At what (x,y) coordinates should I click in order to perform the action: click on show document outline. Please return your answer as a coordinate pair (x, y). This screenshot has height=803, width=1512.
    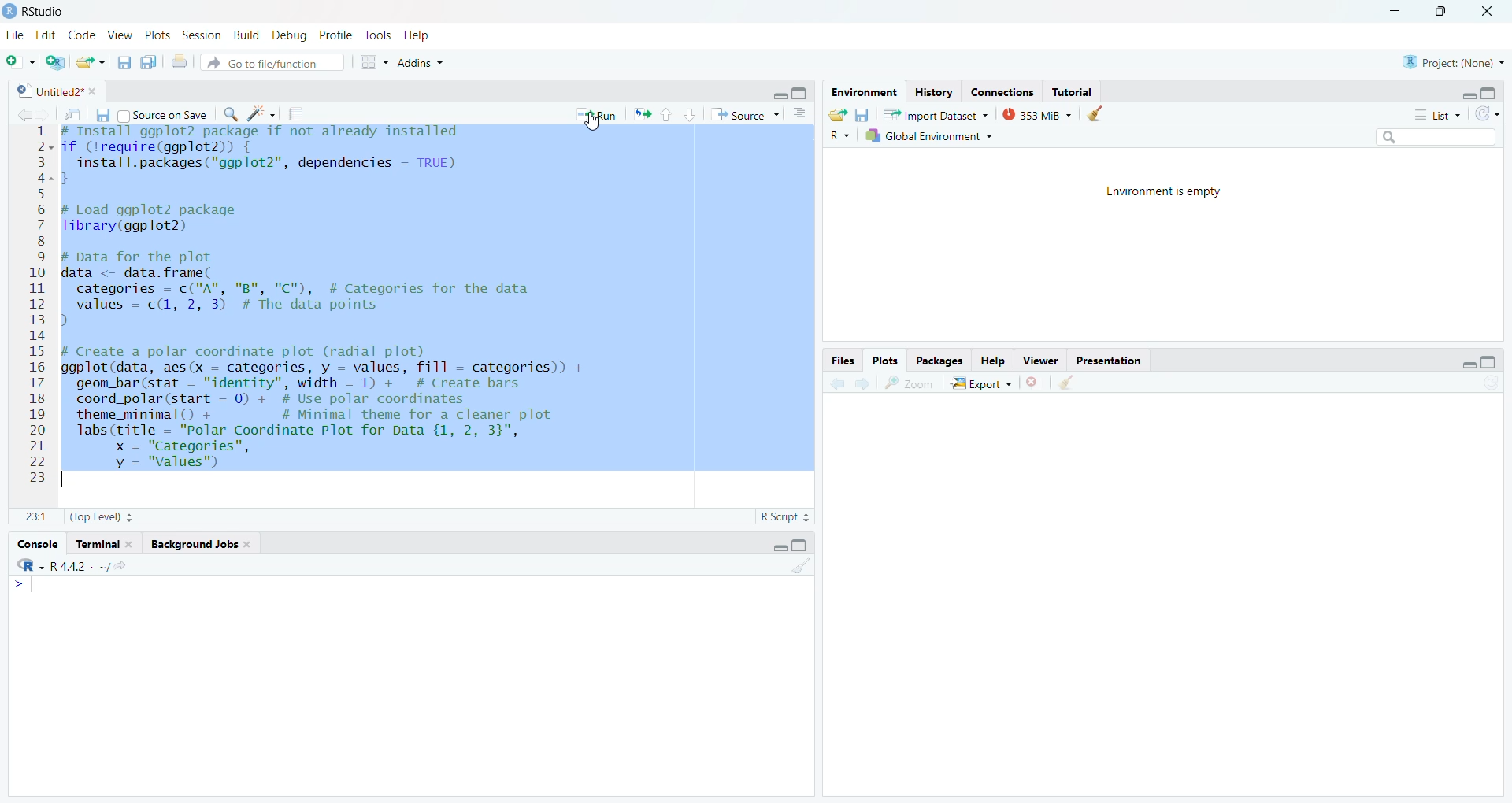
    Looking at the image, I should click on (805, 114).